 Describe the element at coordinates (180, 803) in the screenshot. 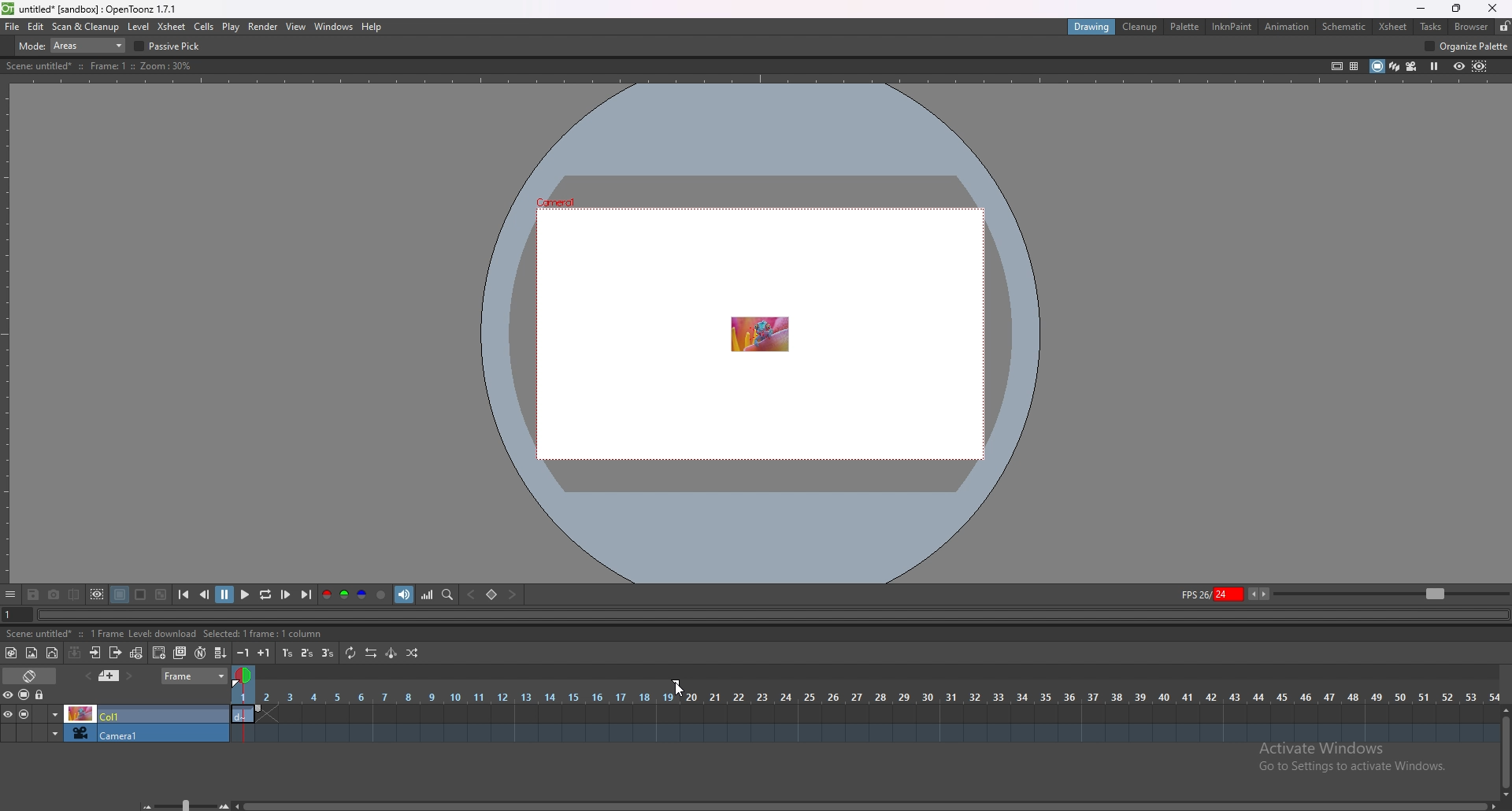

I see `zoom` at that location.